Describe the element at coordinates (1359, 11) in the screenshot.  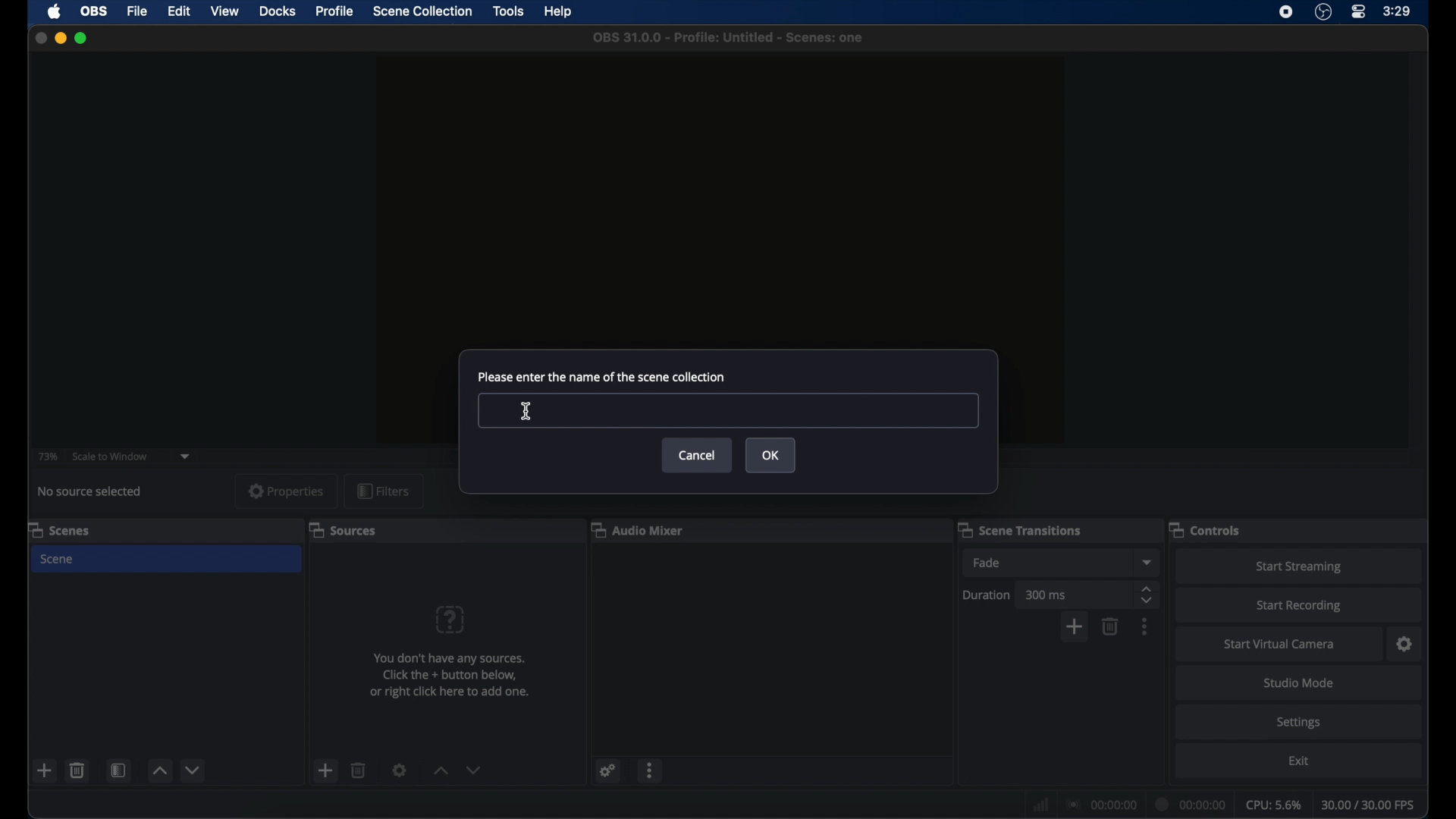
I see `control center` at that location.